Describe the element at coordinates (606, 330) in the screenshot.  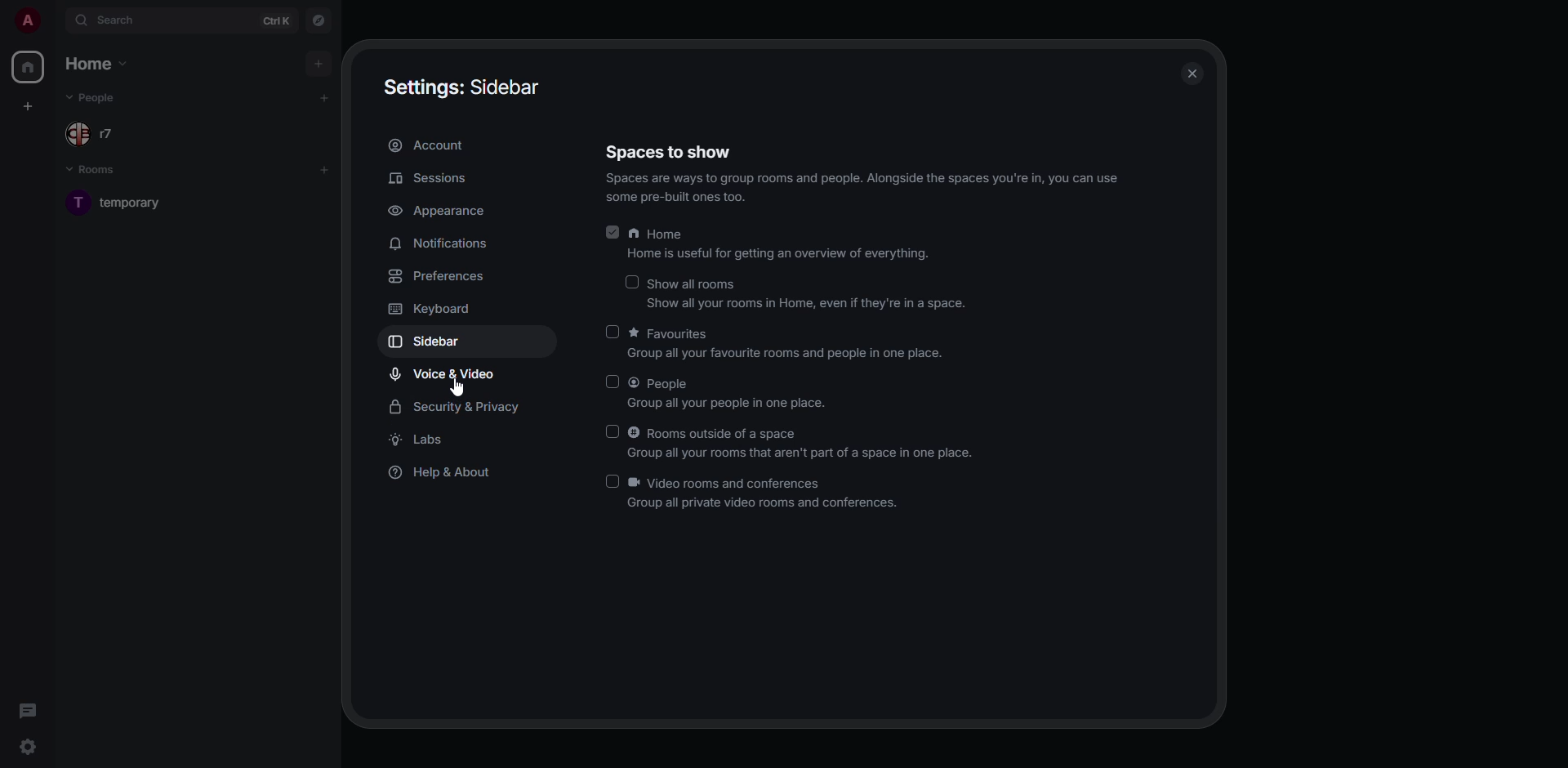
I see `click to enable` at that location.